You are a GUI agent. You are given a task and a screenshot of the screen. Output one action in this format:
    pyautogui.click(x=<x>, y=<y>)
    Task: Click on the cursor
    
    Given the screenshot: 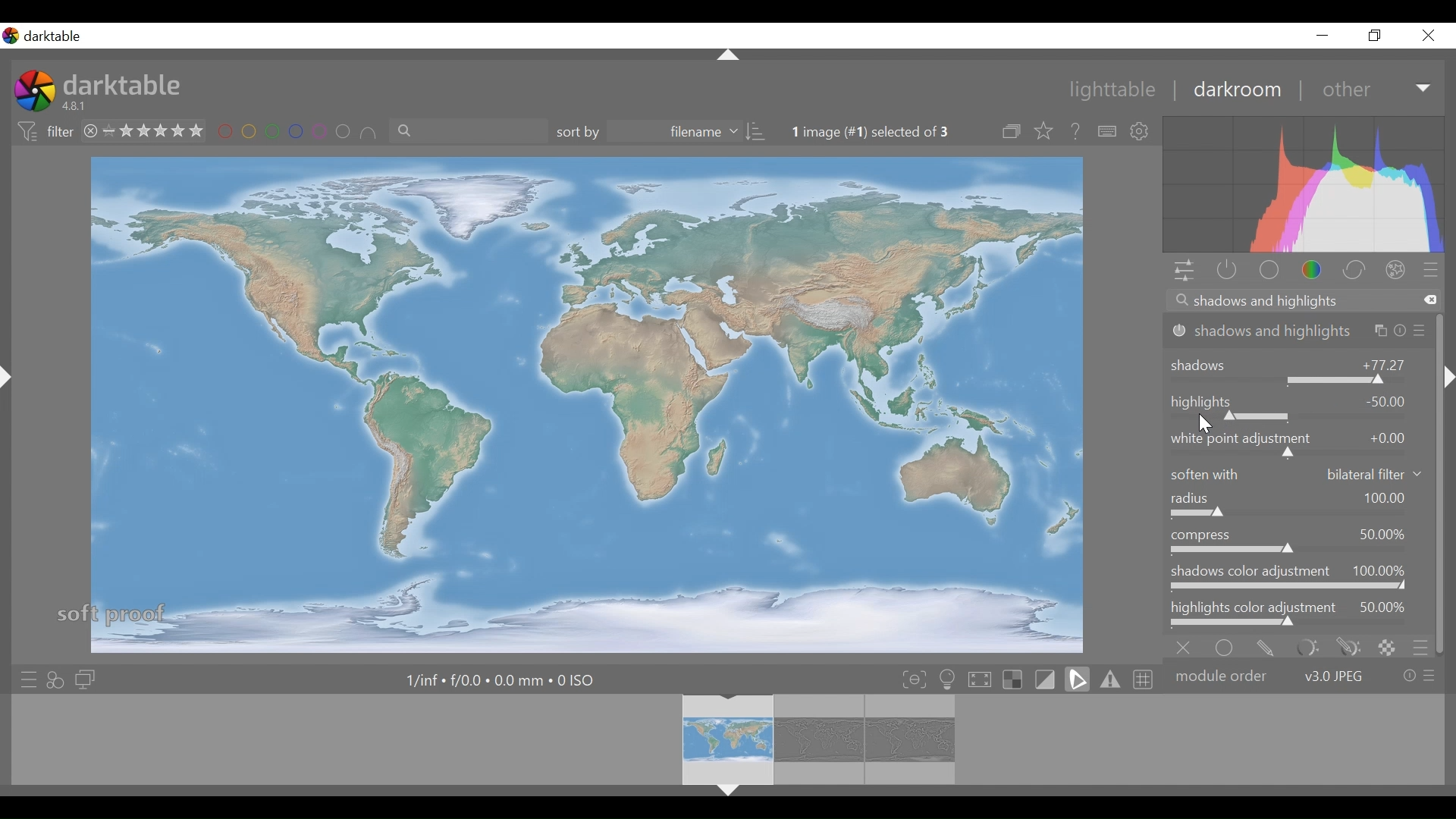 What is the action you would take?
    pyautogui.click(x=1208, y=425)
    